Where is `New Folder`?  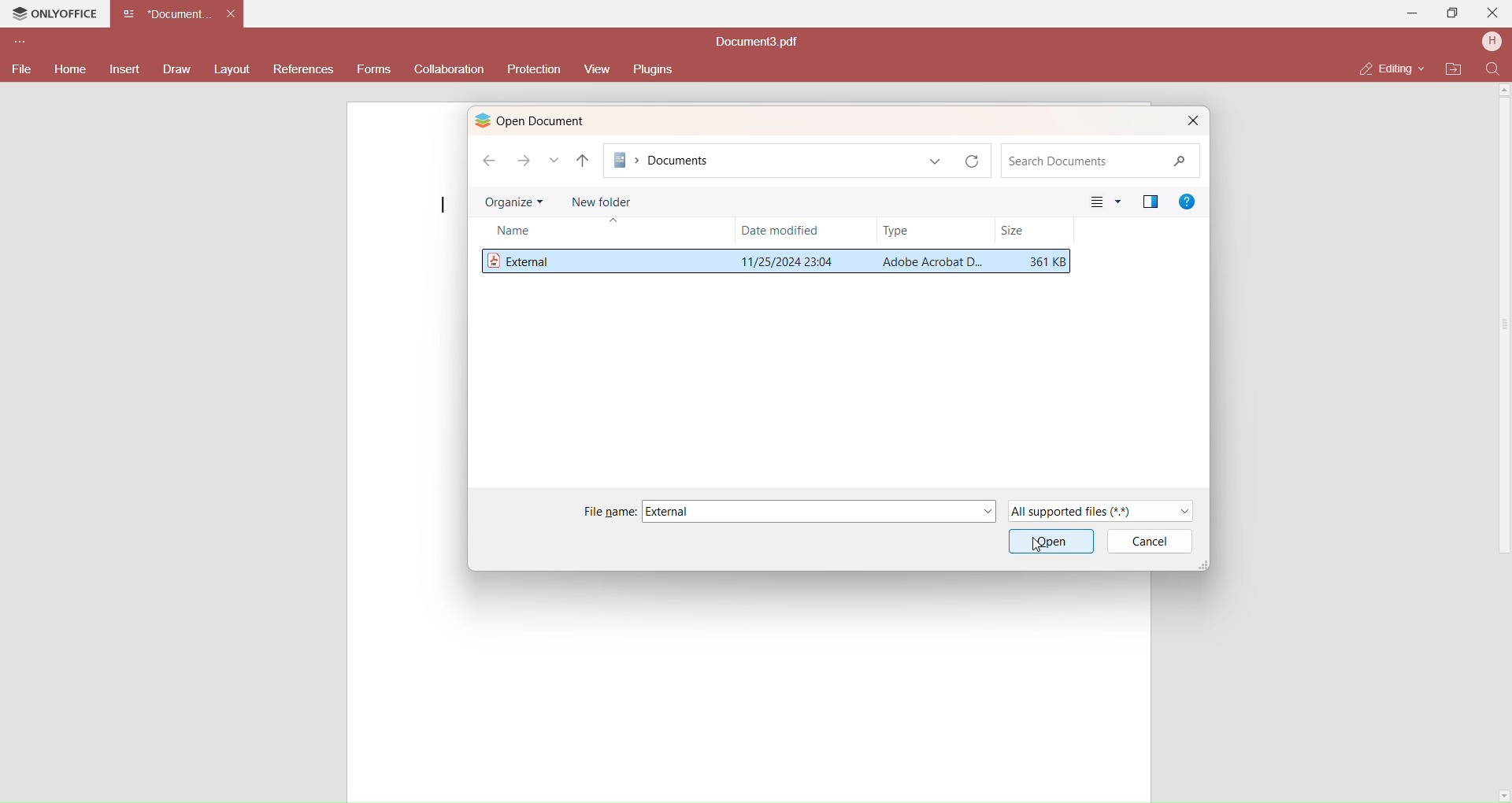
New Folder is located at coordinates (602, 200).